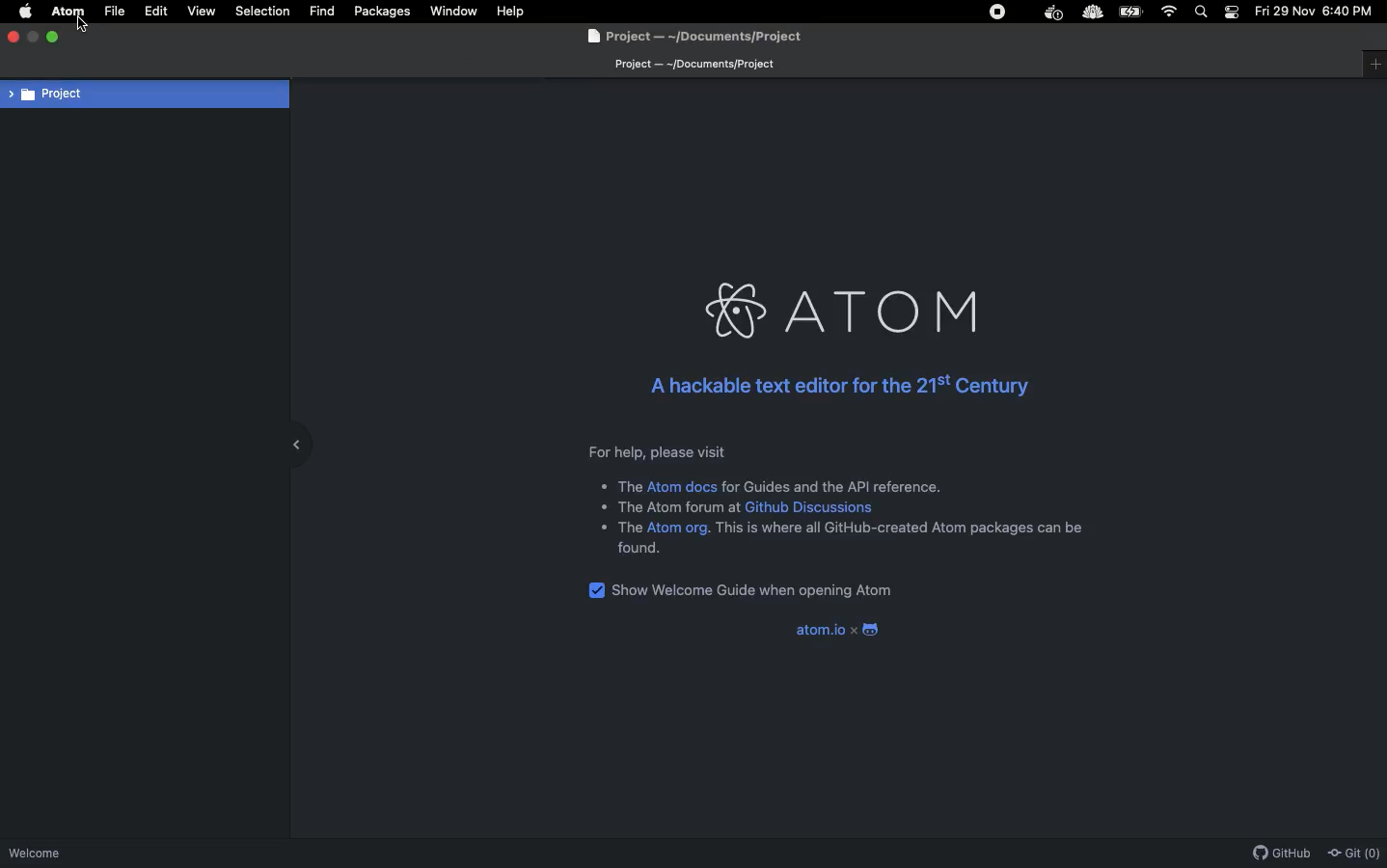 The width and height of the screenshot is (1387, 868). What do you see at coordinates (639, 549) in the screenshot?
I see `description` at bounding box center [639, 549].